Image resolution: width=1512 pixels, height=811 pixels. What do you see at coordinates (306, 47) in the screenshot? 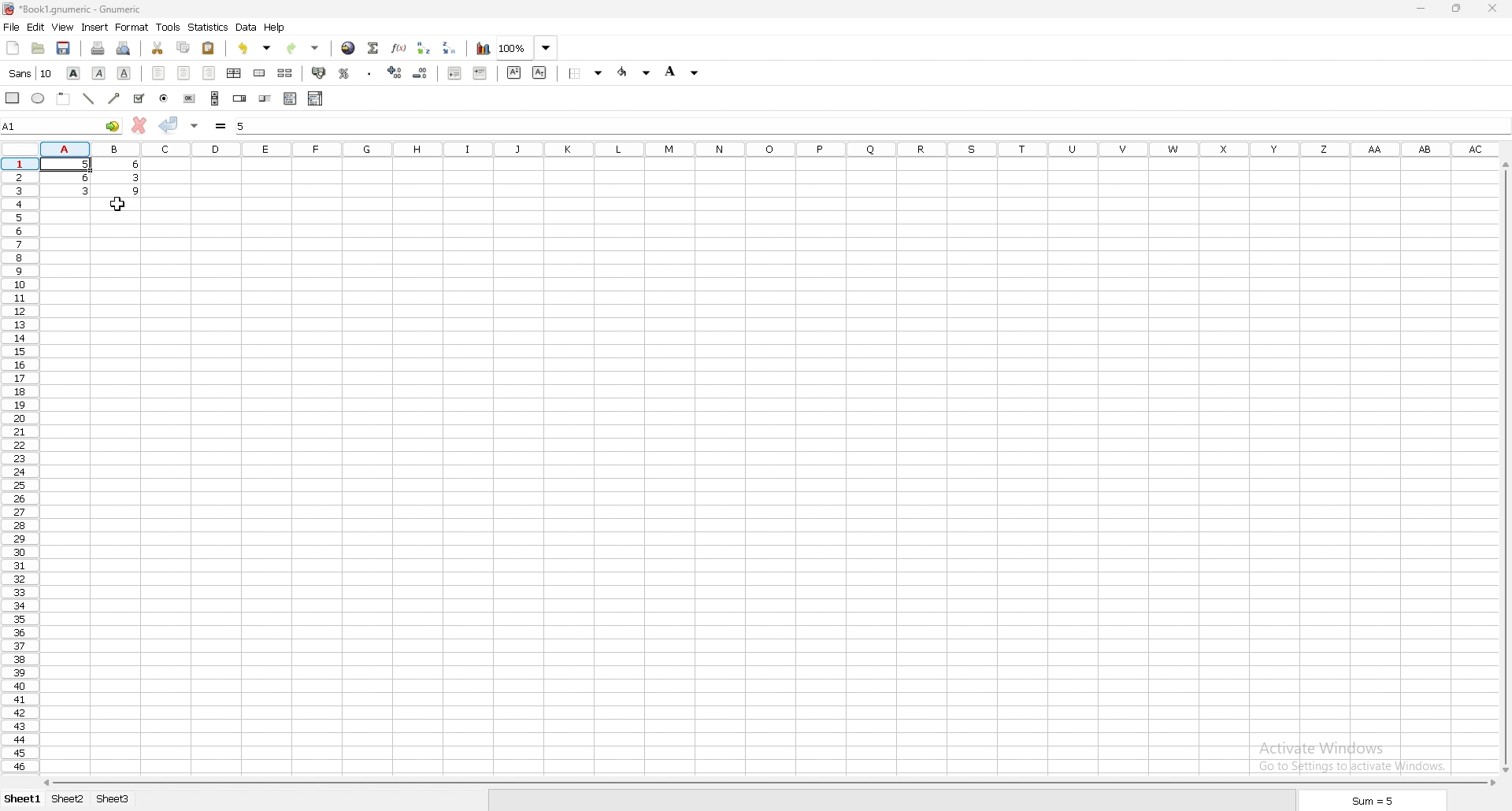
I see `redo` at bounding box center [306, 47].